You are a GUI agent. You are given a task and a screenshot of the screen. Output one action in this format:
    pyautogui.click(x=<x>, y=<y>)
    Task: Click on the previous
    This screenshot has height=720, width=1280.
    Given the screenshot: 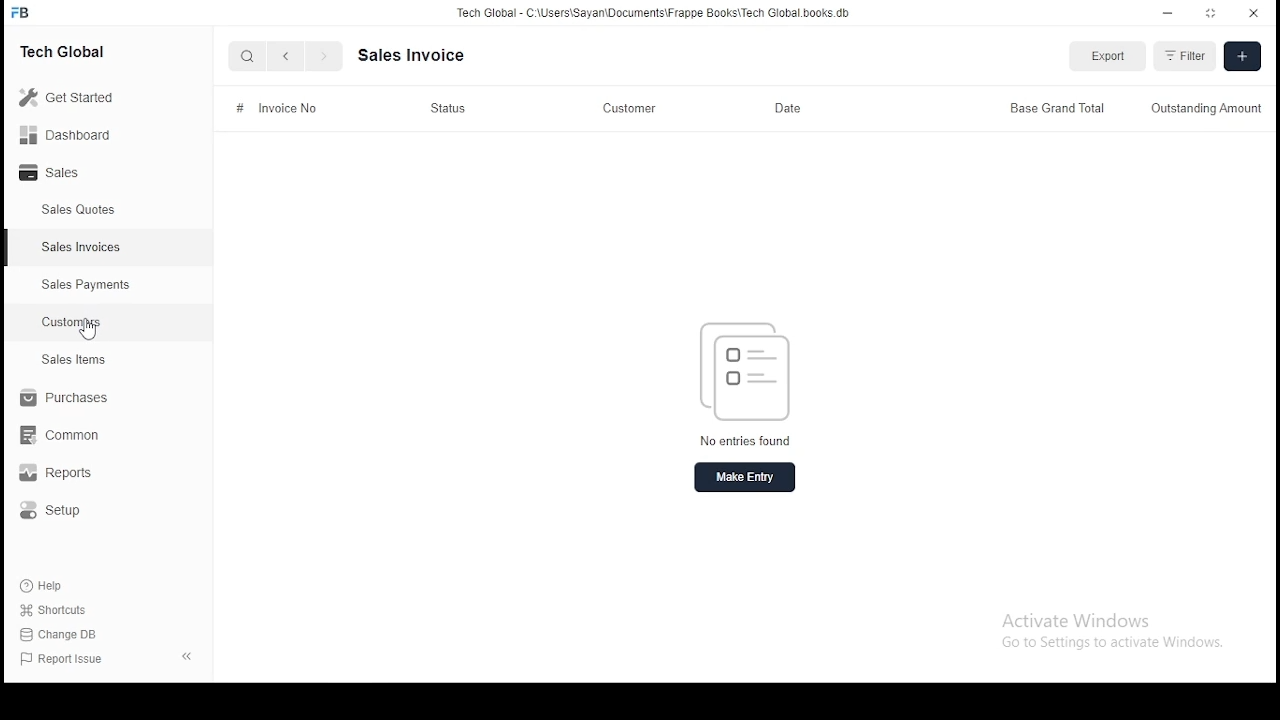 What is the action you would take?
    pyautogui.click(x=286, y=56)
    